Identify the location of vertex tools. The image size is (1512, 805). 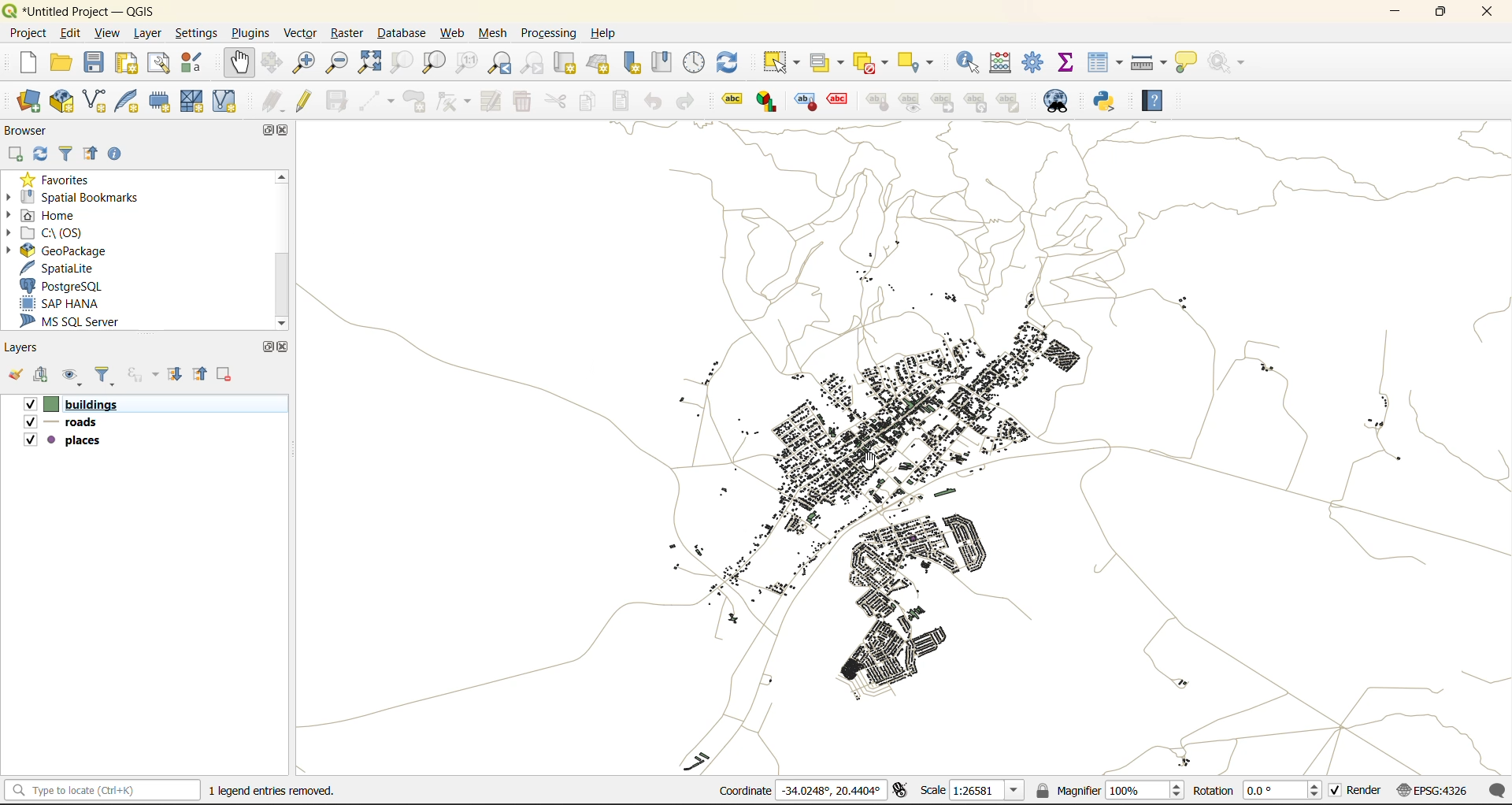
(454, 102).